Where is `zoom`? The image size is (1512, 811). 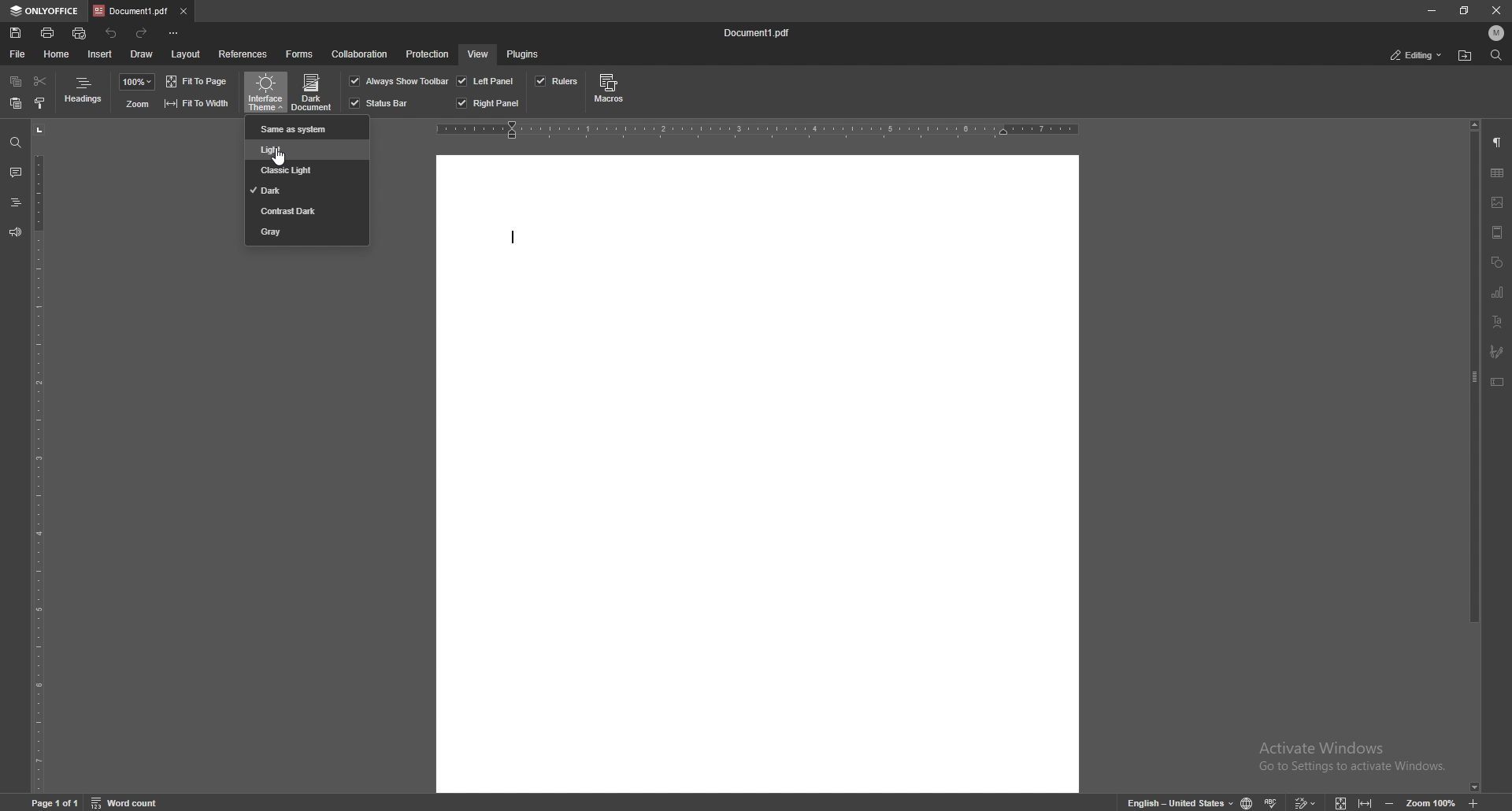
zoom is located at coordinates (138, 82).